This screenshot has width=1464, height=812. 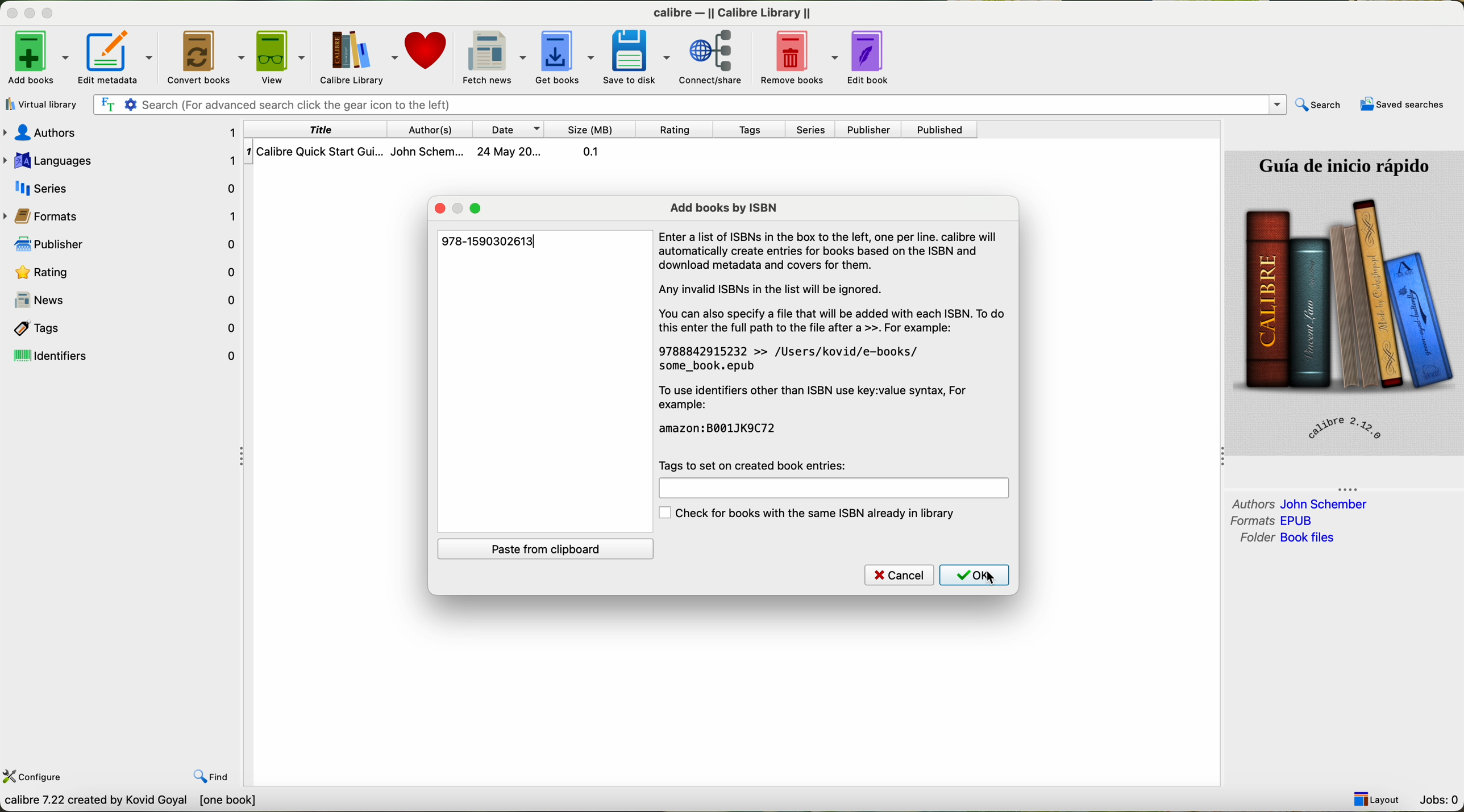 What do you see at coordinates (124, 161) in the screenshot?
I see `Languages` at bounding box center [124, 161].